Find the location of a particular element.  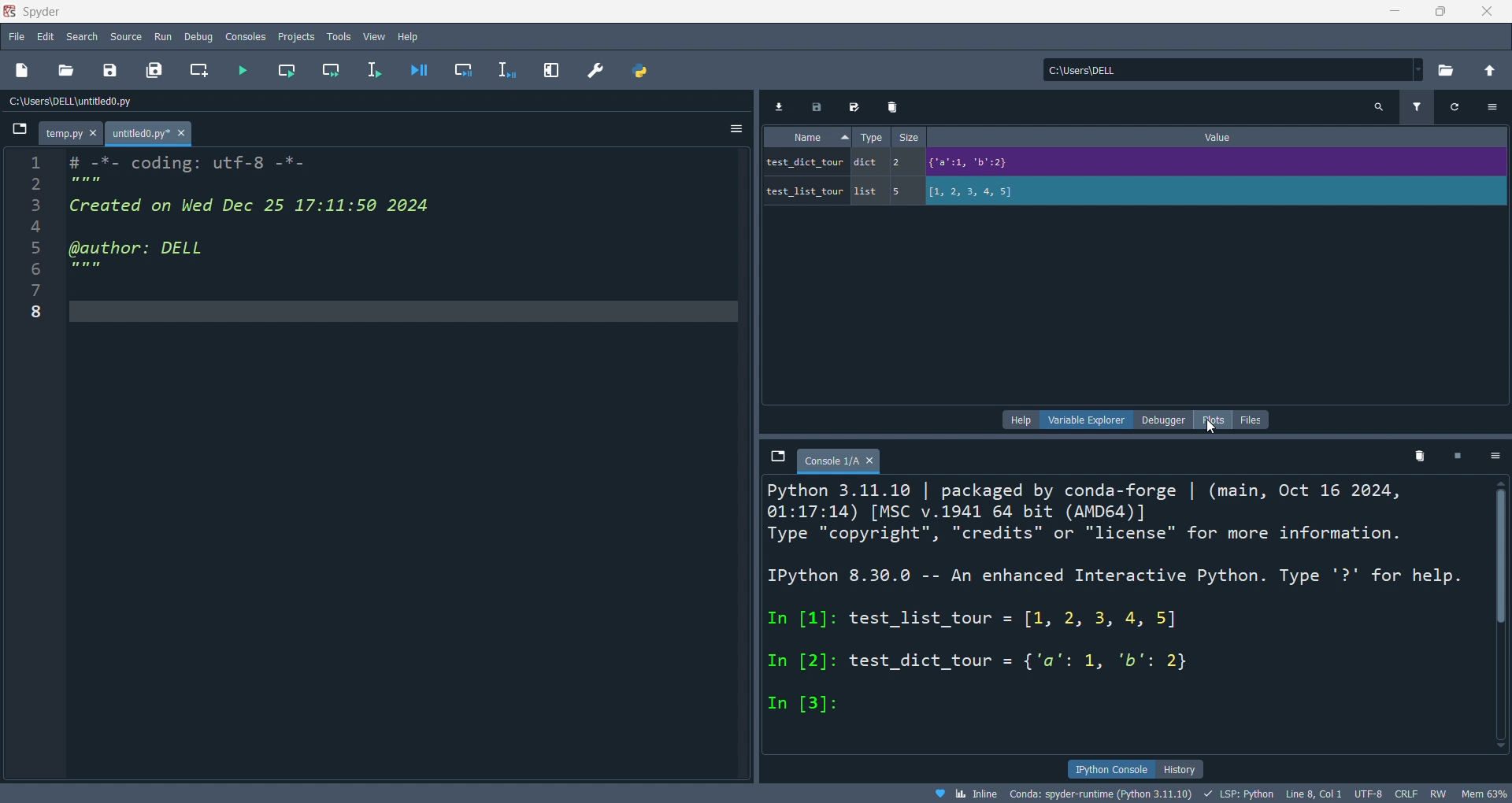

inline is located at coordinates (959, 794).